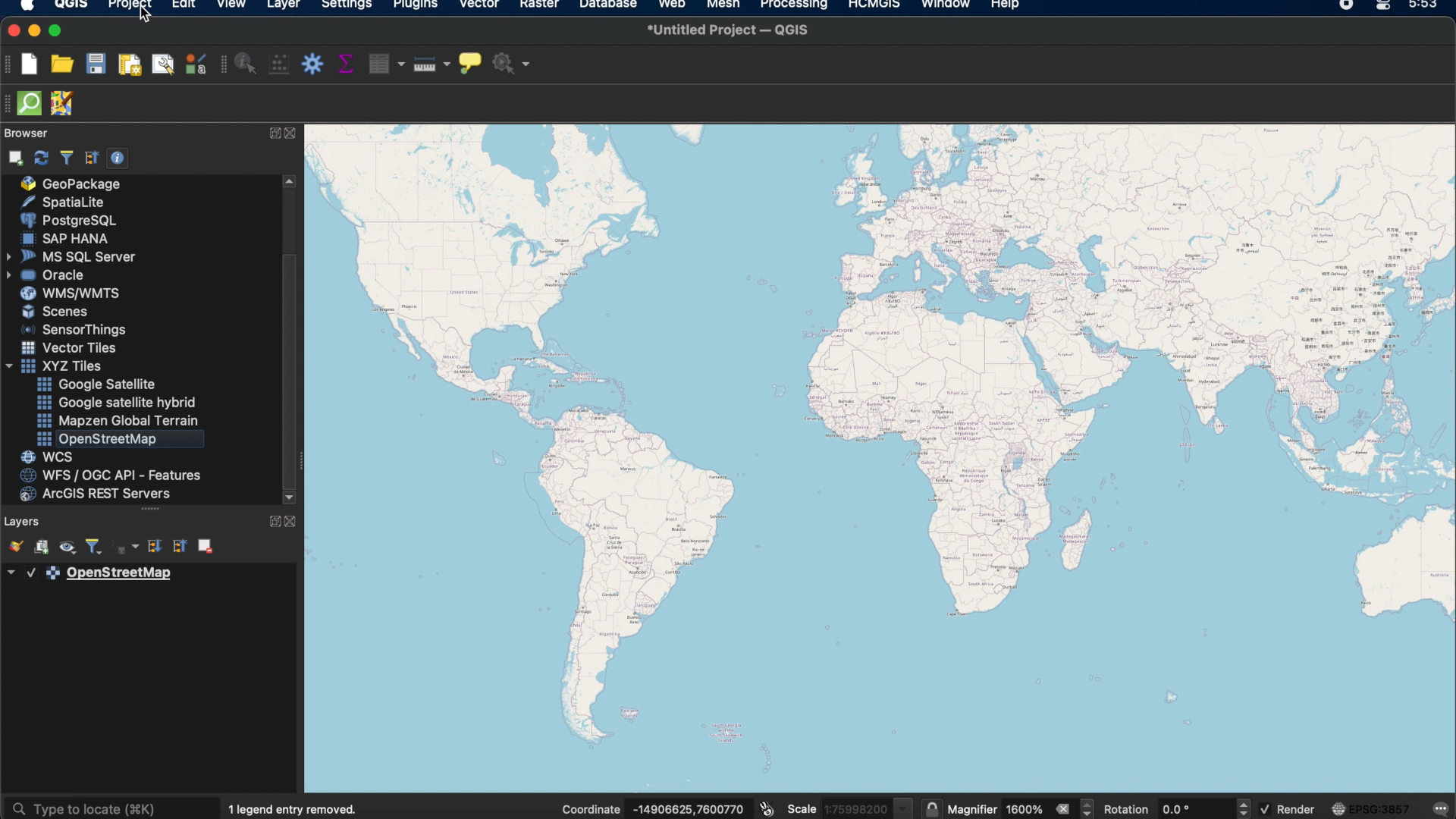  What do you see at coordinates (30, 67) in the screenshot?
I see `new project` at bounding box center [30, 67].